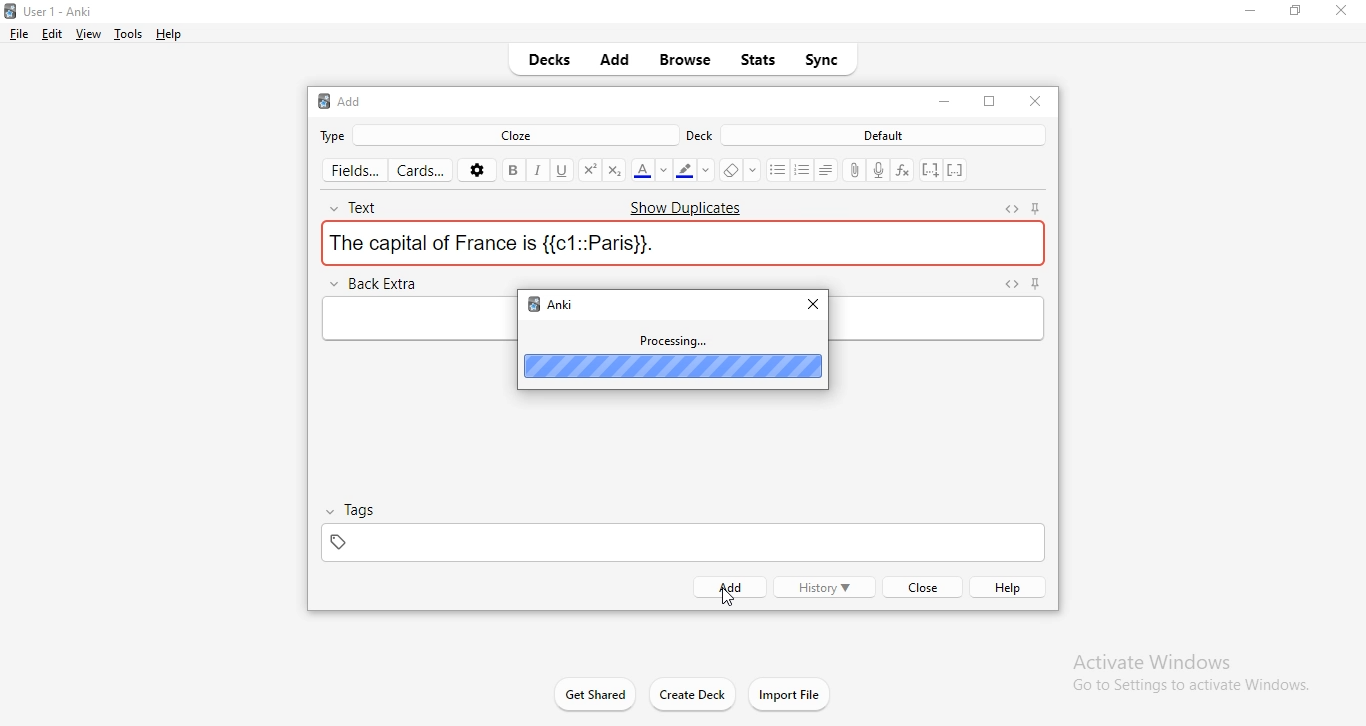 Image resolution: width=1366 pixels, height=726 pixels. I want to click on cursor, so click(724, 591).